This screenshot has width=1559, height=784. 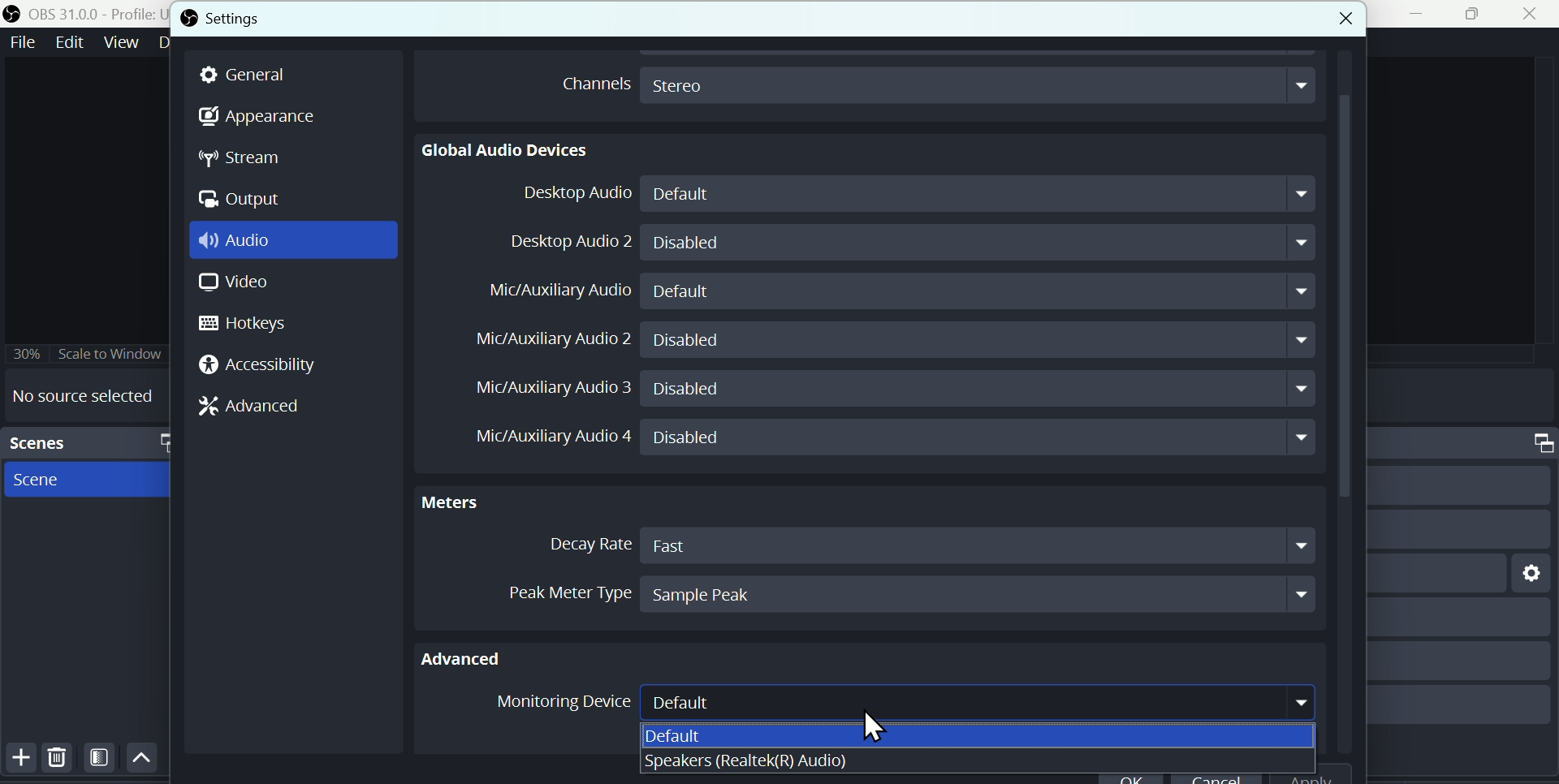 I want to click on Appearance, so click(x=259, y=118).